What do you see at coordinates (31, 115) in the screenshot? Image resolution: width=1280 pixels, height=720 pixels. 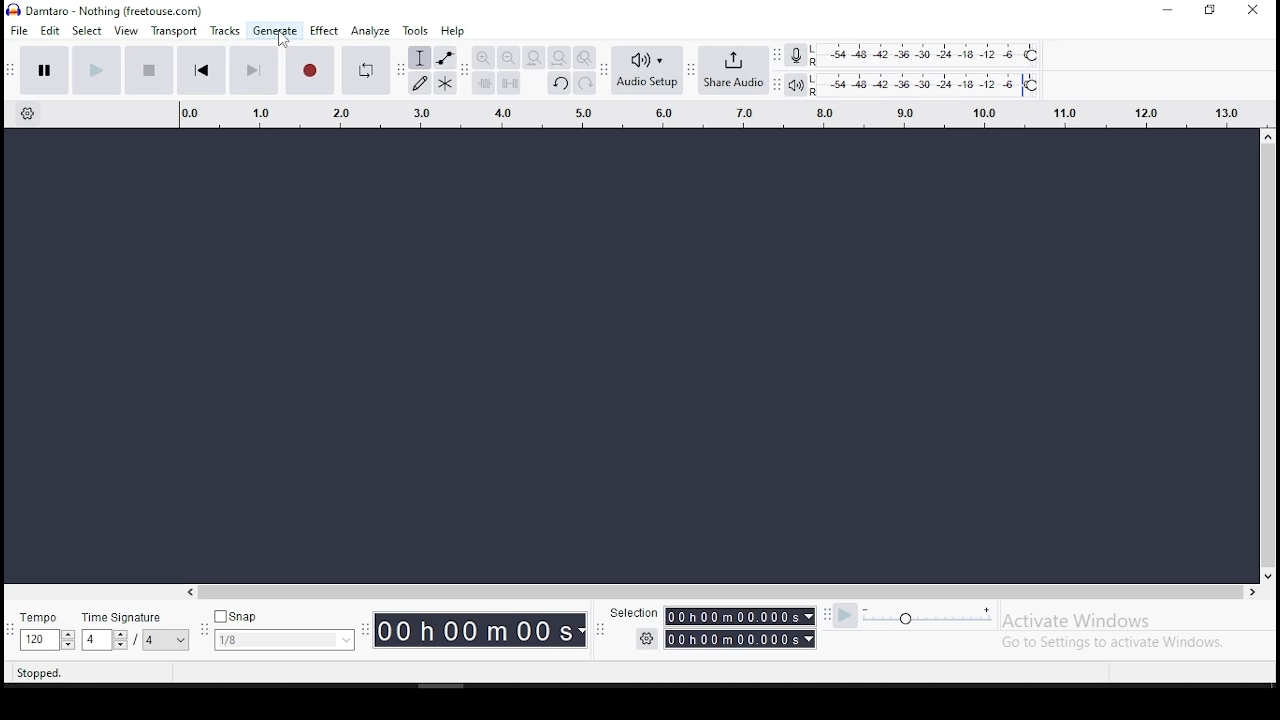 I see `timeline settings` at bounding box center [31, 115].